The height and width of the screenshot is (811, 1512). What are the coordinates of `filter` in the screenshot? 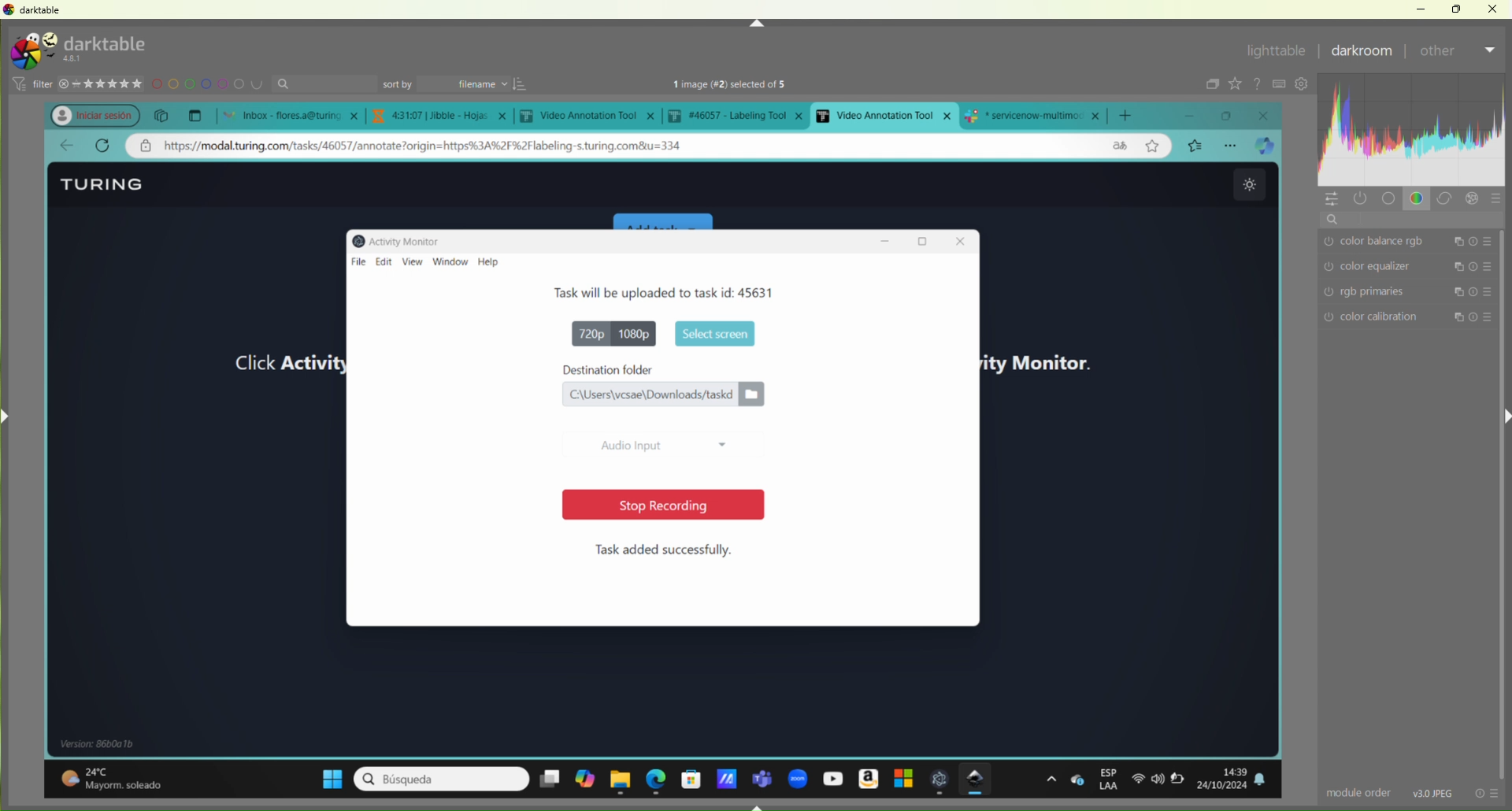 It's located at (30, 84).